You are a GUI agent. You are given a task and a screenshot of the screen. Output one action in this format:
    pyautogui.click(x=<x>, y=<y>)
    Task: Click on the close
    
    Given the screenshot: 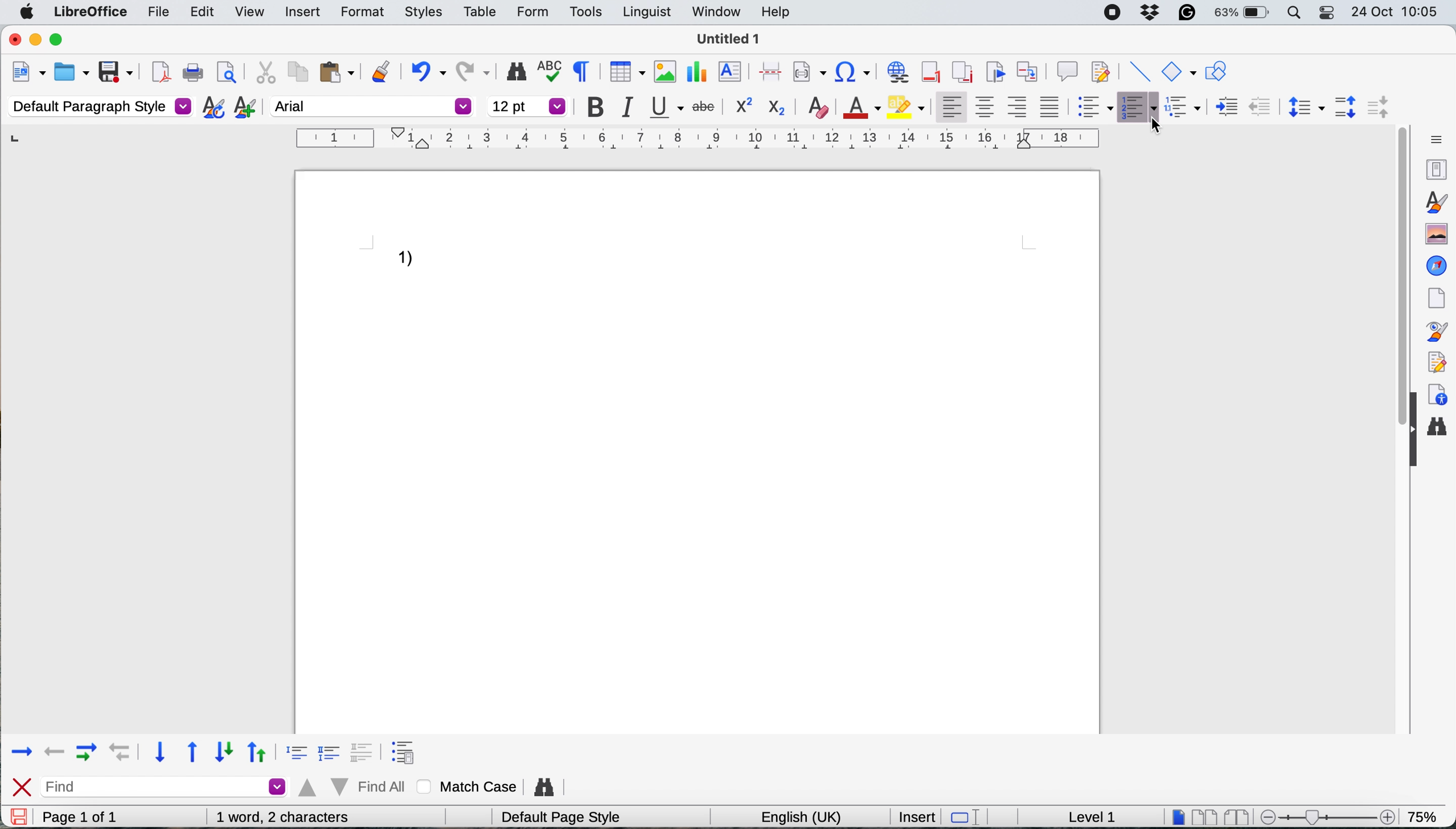 What is the action you would take?
    pyautogui.click(x=13, y=40)
    